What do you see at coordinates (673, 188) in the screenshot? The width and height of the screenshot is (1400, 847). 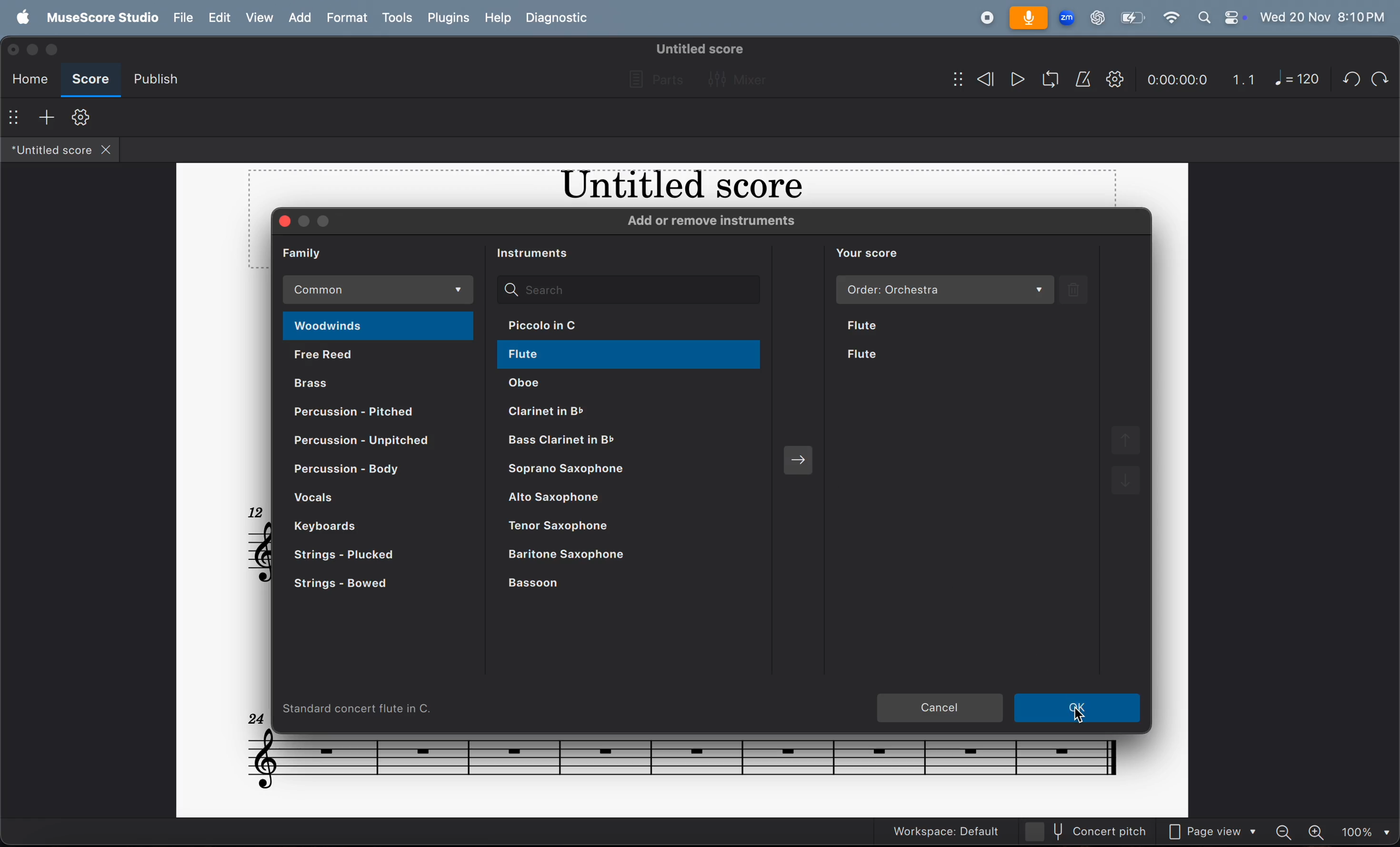 I see `music title` at bounding box center [673, 188].